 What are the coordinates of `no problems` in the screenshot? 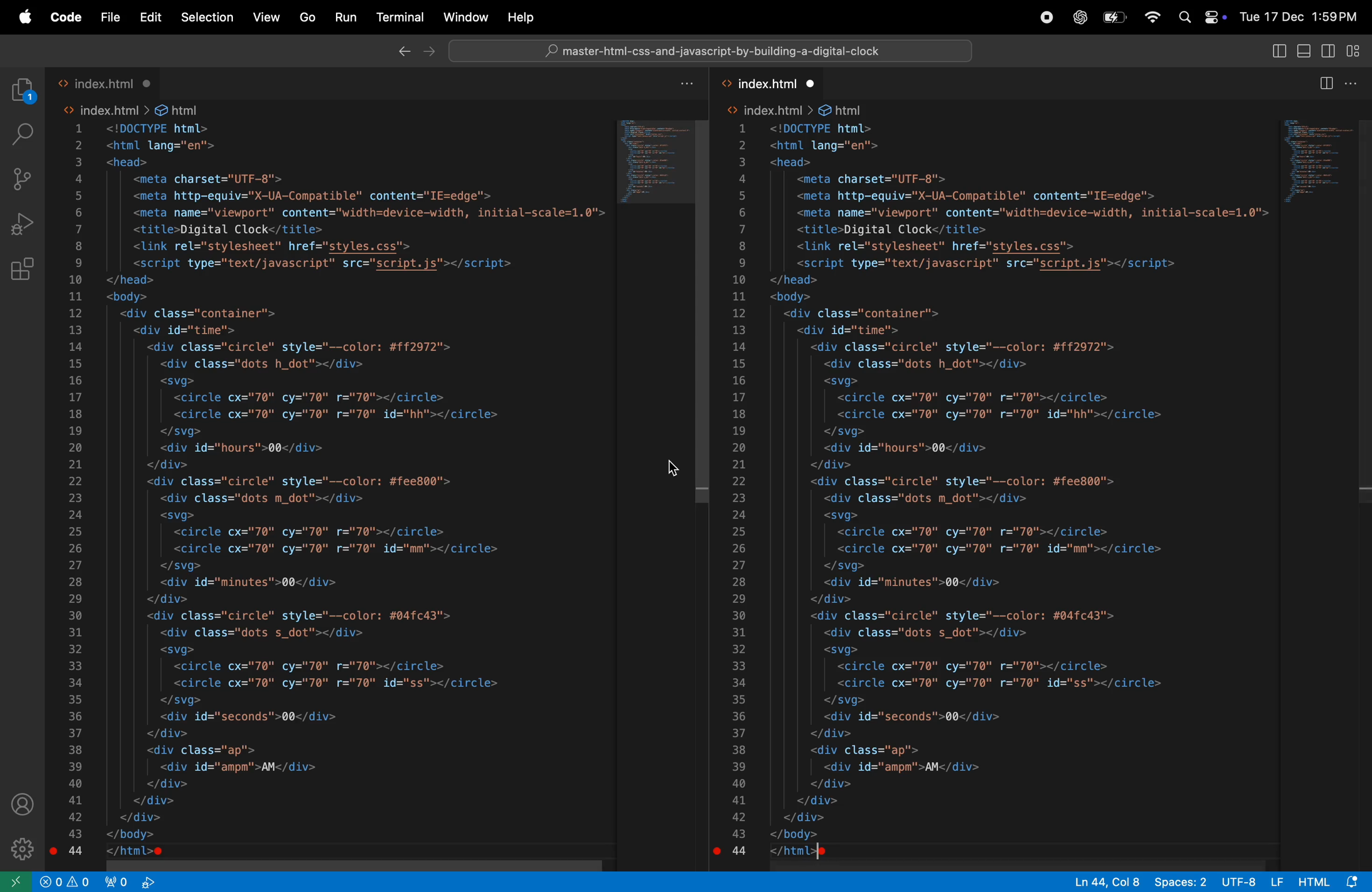 It's located at (65, 881).